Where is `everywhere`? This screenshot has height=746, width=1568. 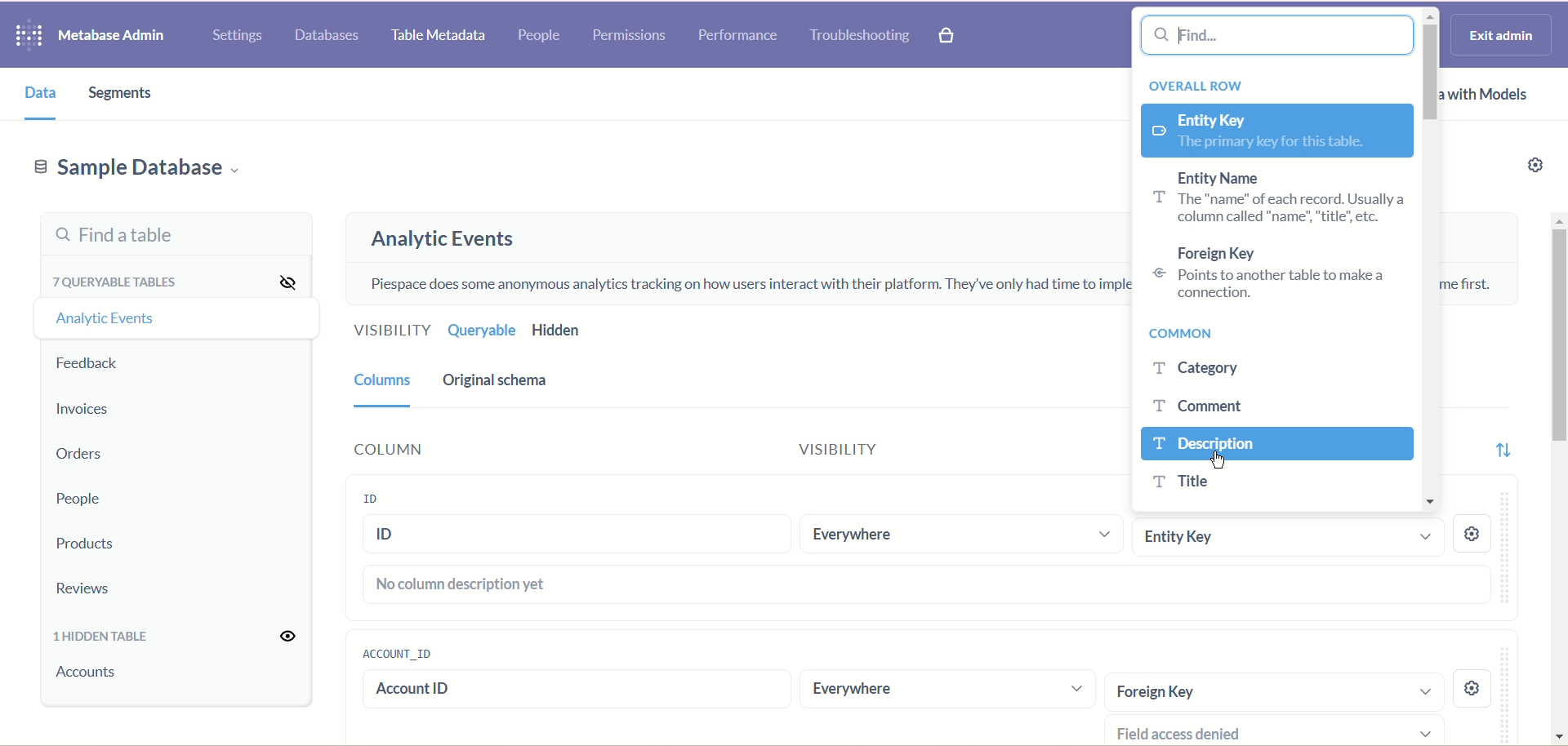
everywhere is located at coordinates (963, 534).